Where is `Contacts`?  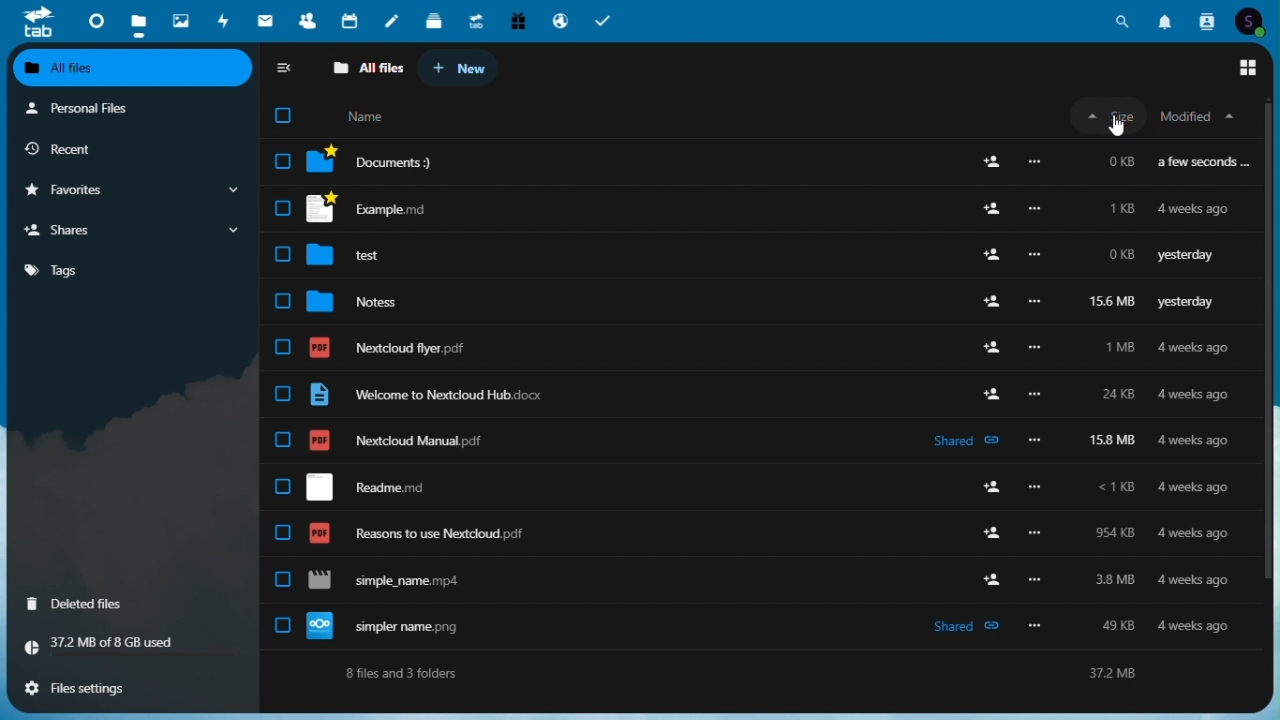 Contacts is located at coordinates (1208, 18).